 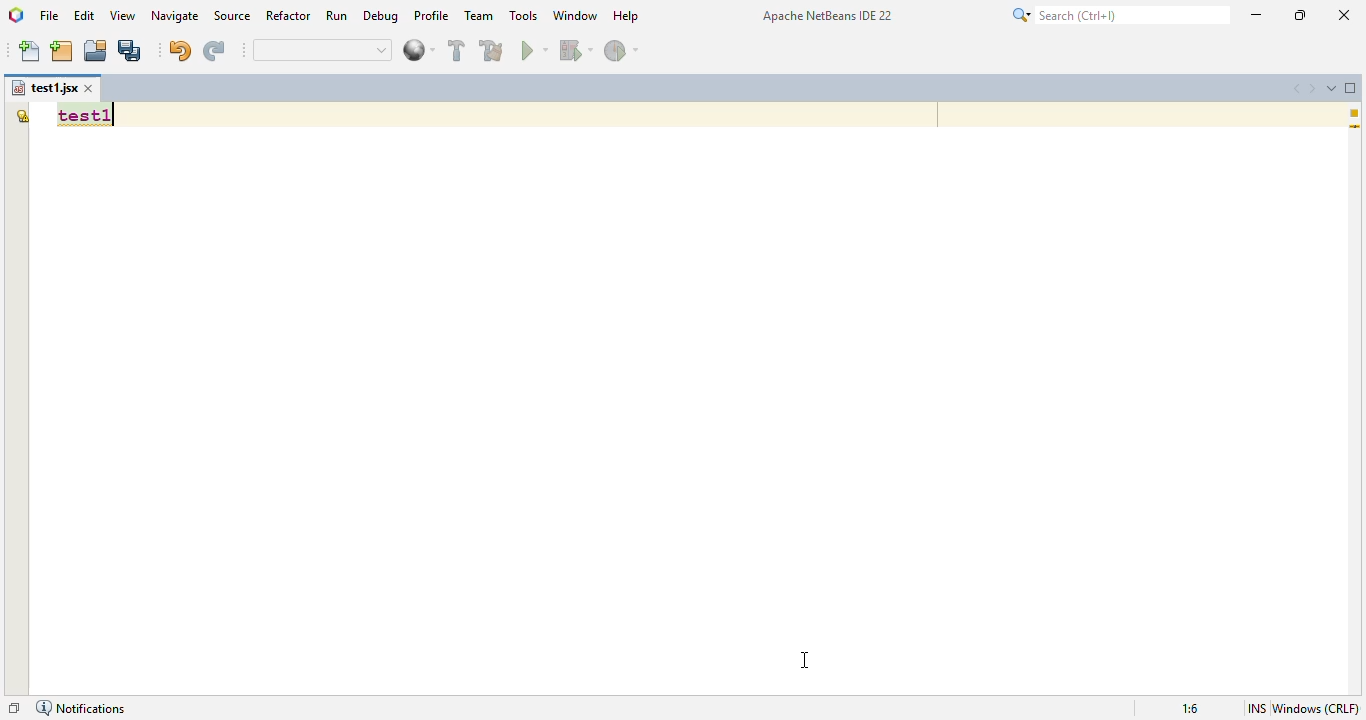 I want to click on navigate, so click(x=175, y=15).